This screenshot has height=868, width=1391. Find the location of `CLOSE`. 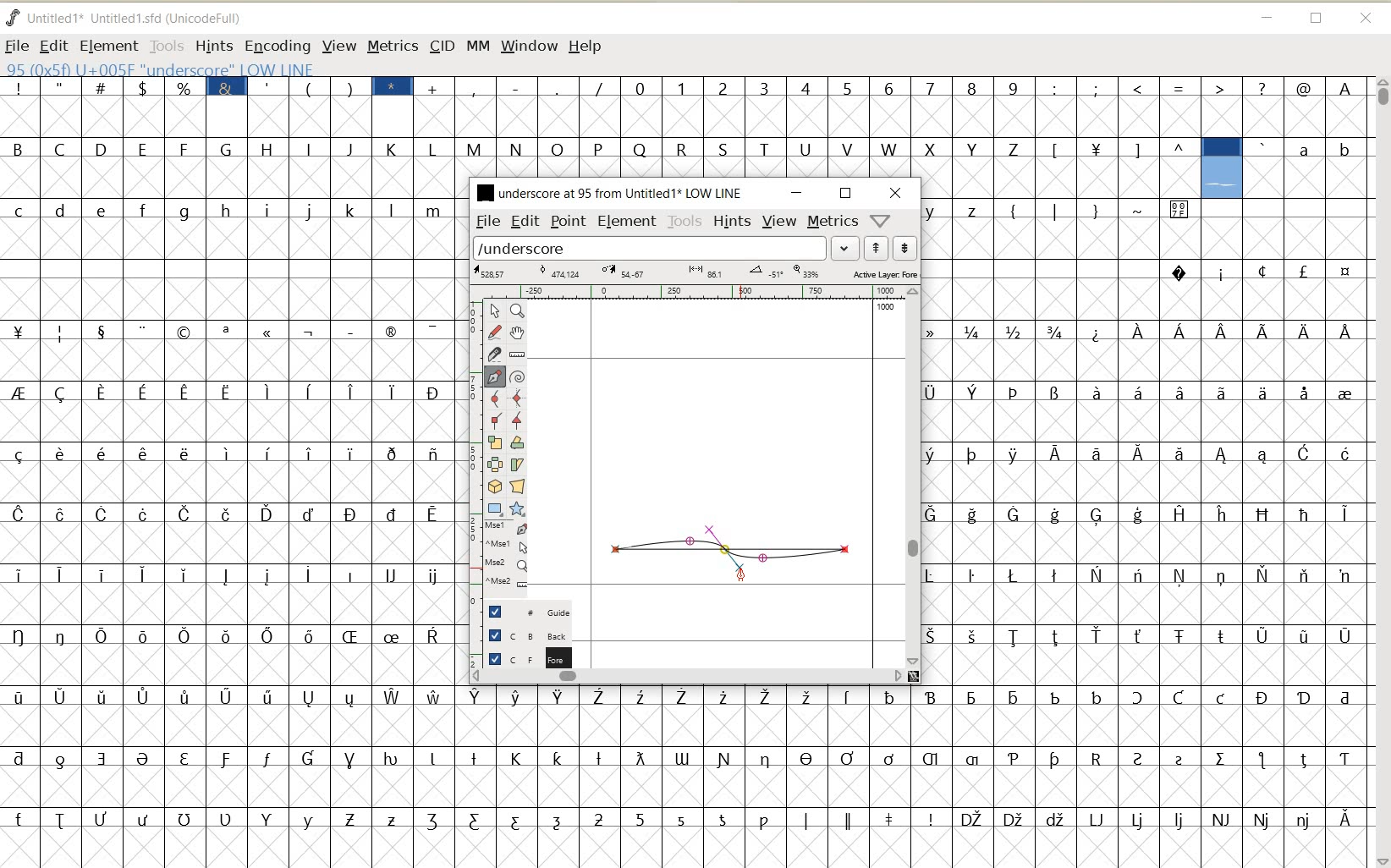

CLOSE is located at coordinates (1367, 19).